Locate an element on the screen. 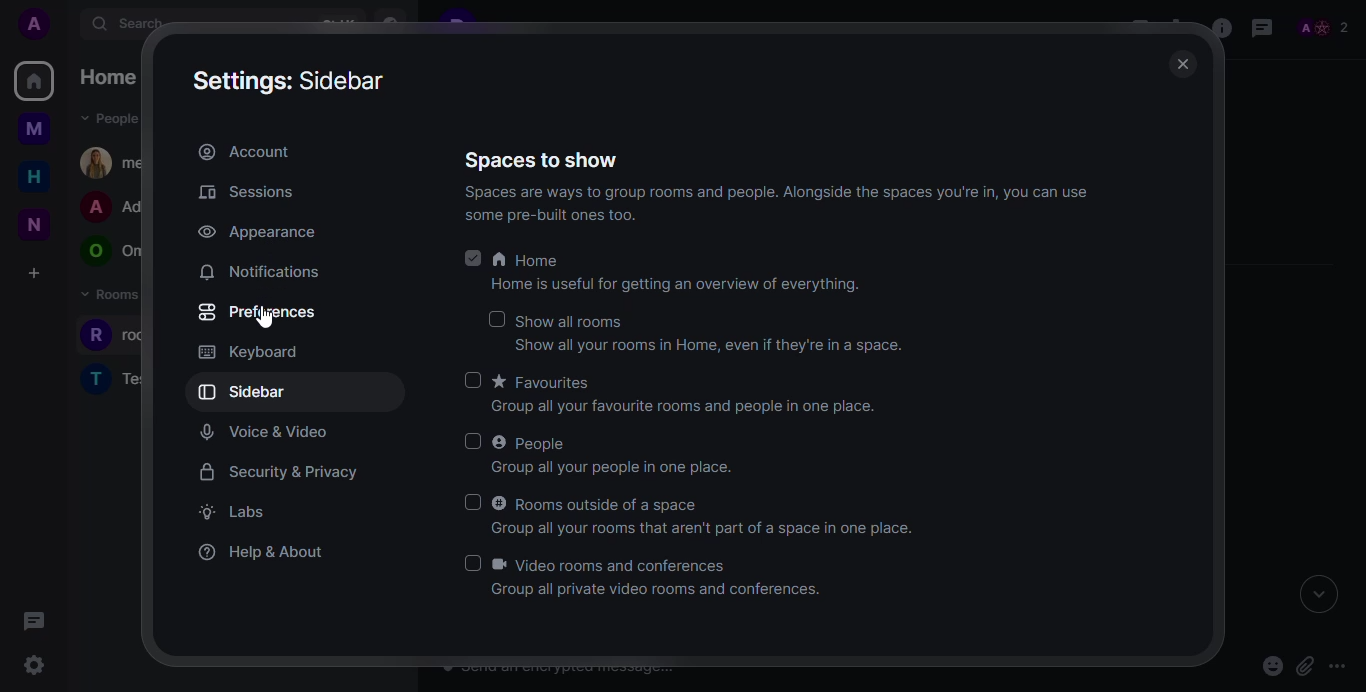  close is located at coordinates (1180, 64).